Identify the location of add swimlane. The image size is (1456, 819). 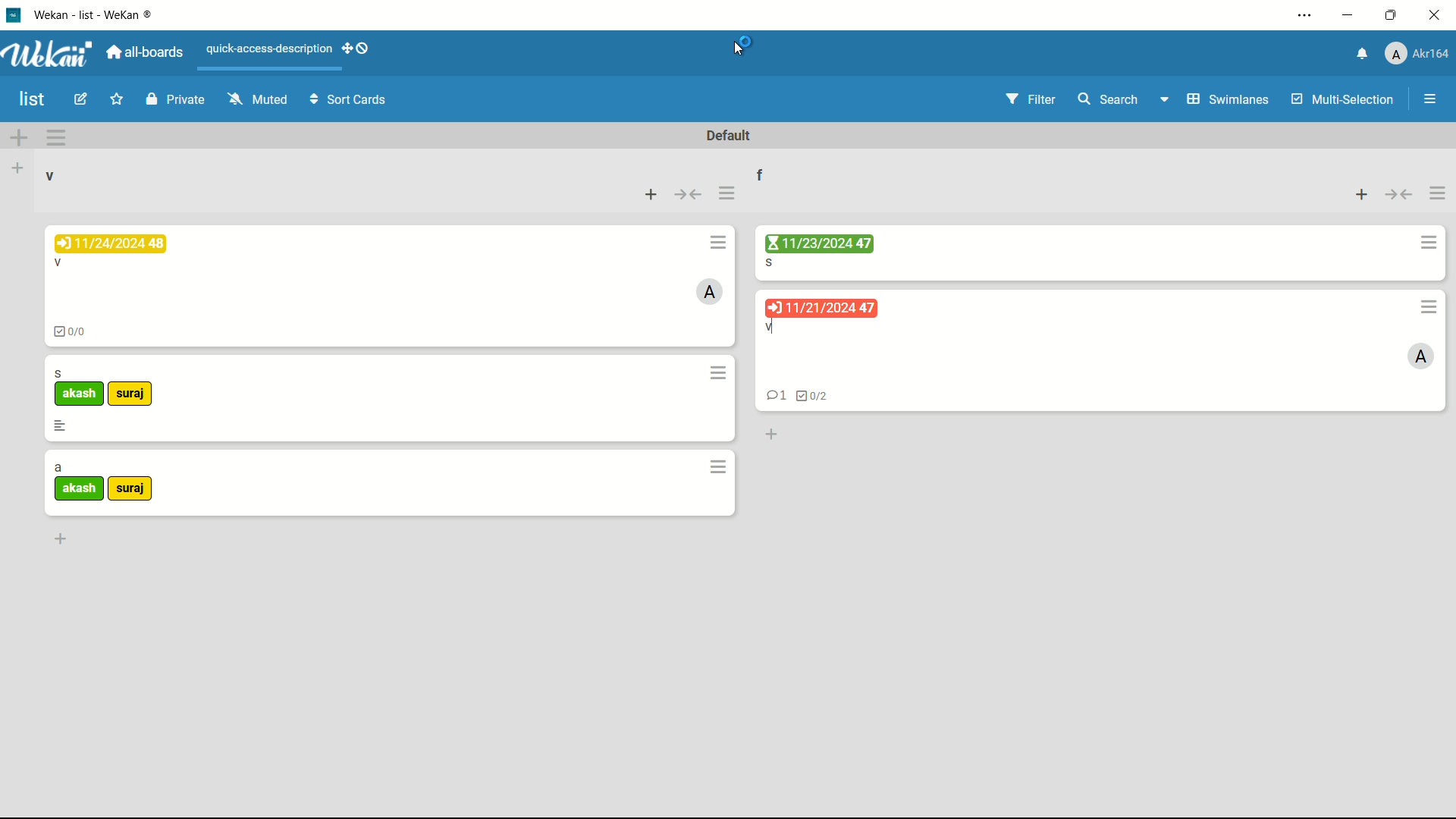
(19, 139).